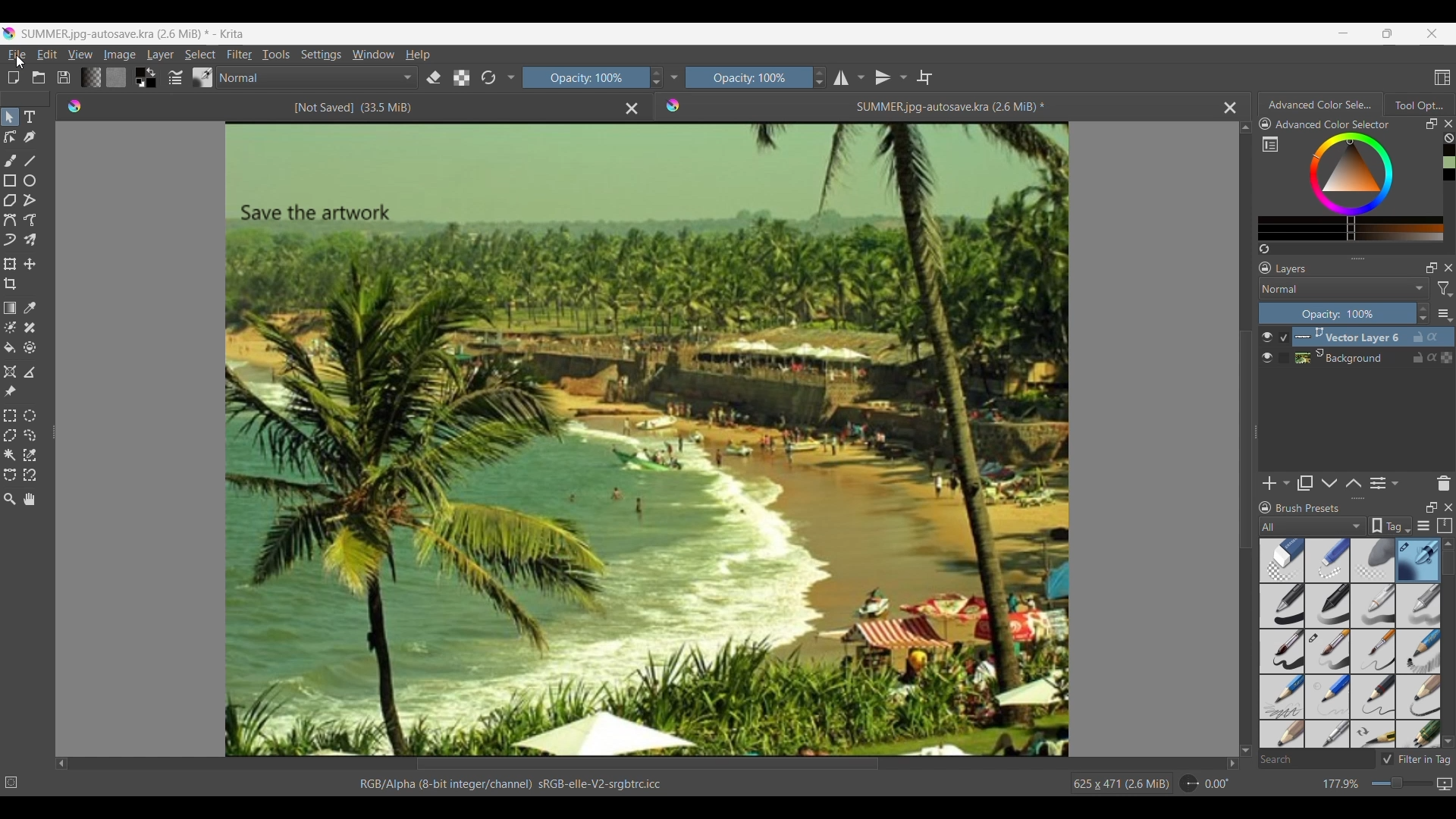 Image resolution: width=1456 pixels, height=819 pixels. I want to click on Color range for selection, so click(1360, 187).